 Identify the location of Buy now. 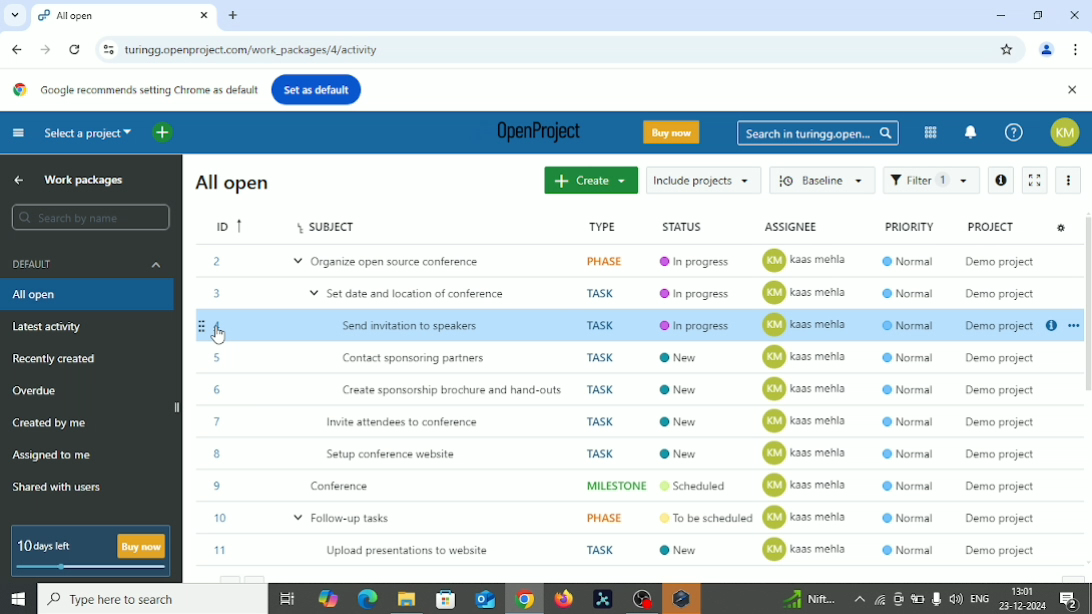
(675, 132).